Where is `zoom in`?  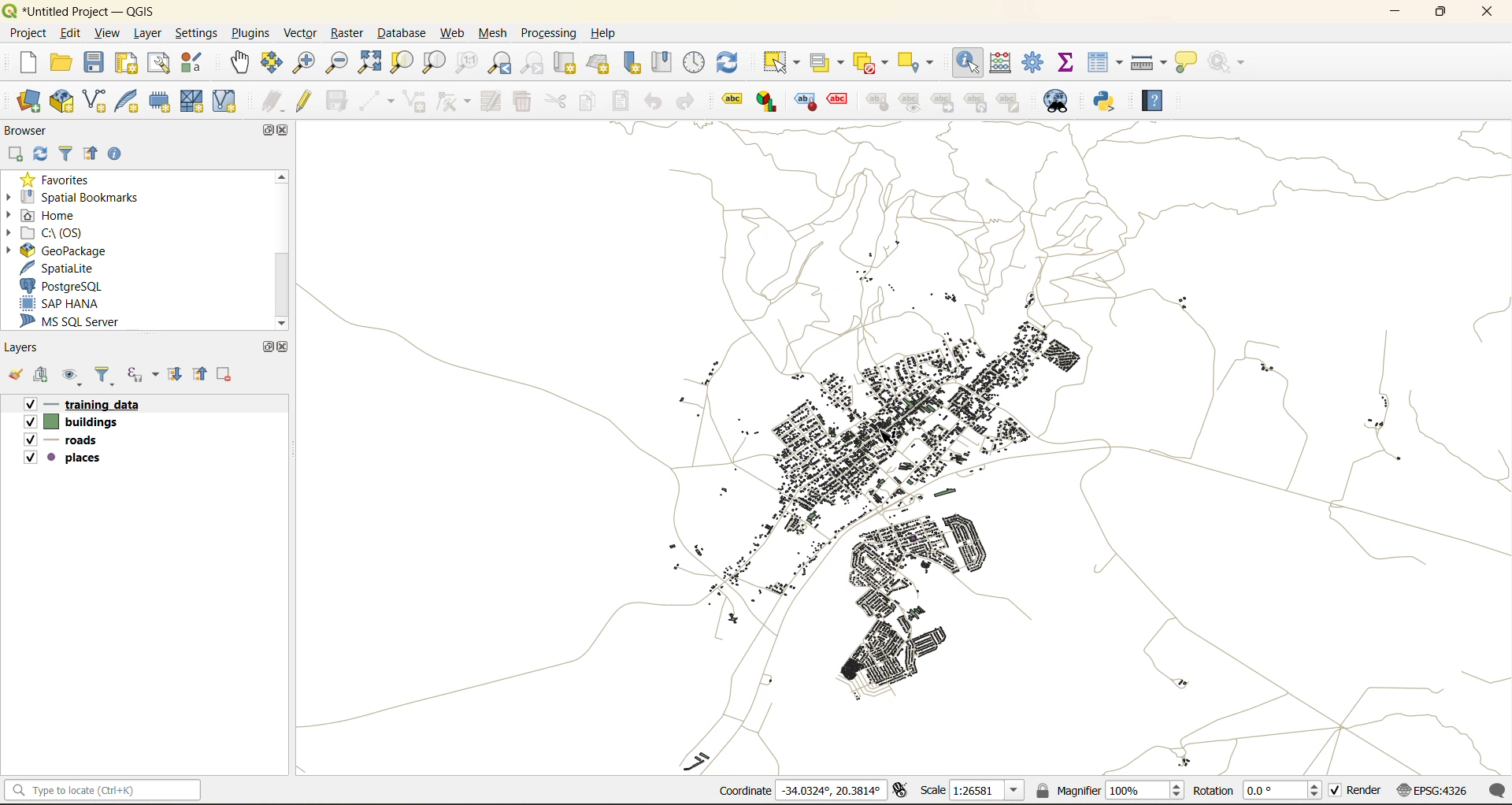
zoom in is located at coordinates (302, 61).